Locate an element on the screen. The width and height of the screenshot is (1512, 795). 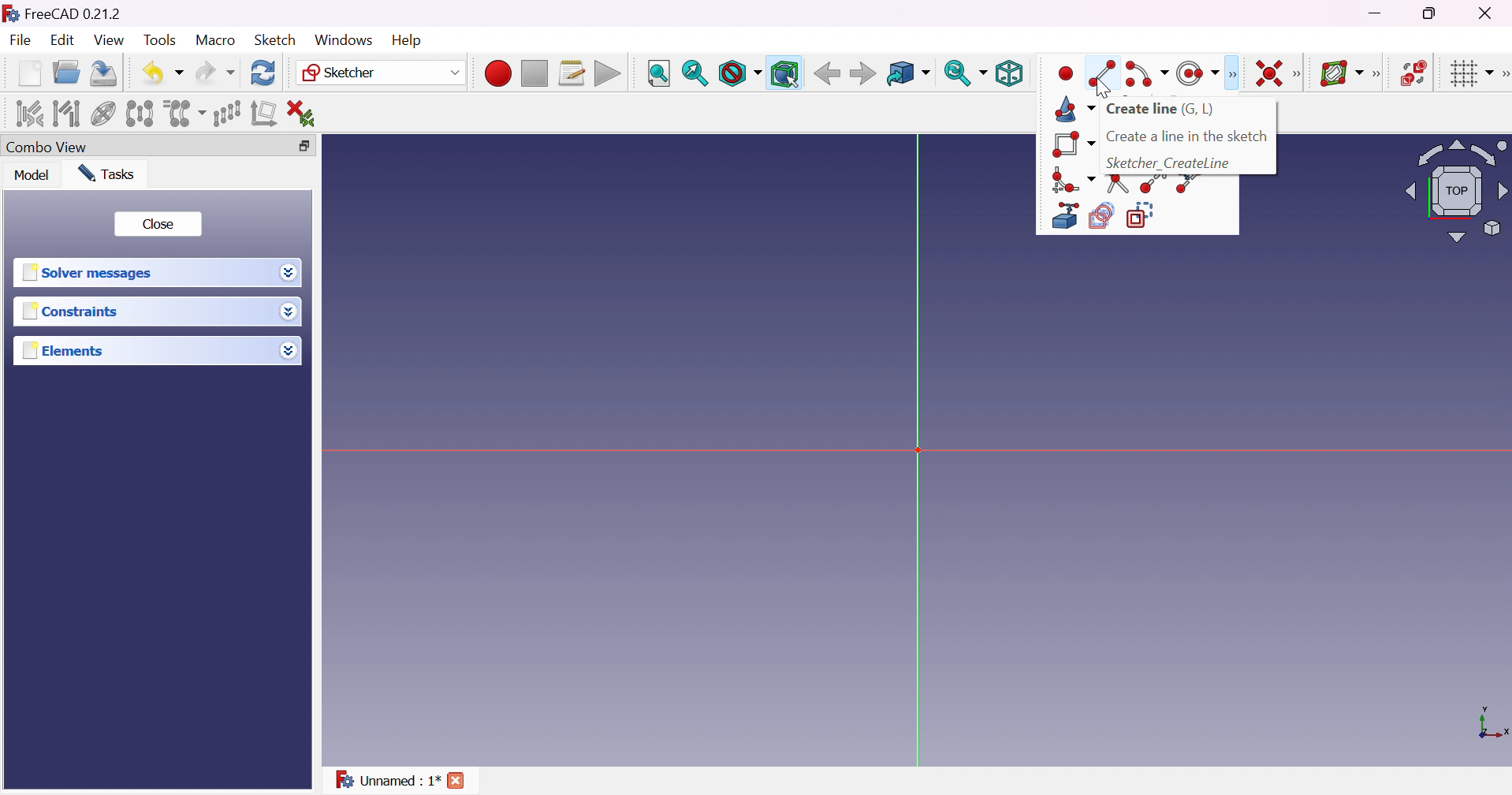
Remove axes alignment is located at coordinates (264, 115).